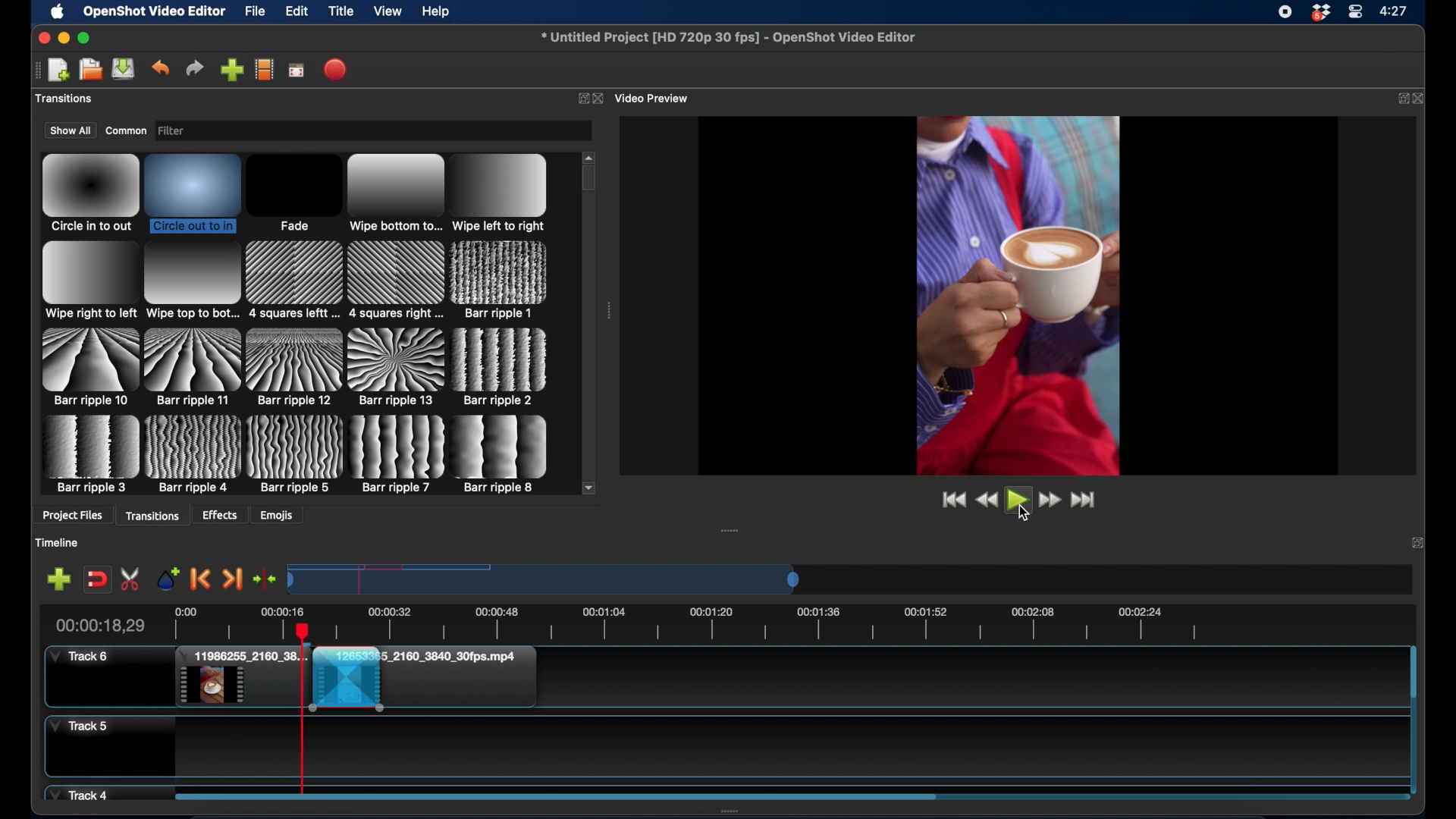 This screenshot has width=1456, height=819. Describe the element at coordinates (155, 12) in the screenshot. I see `openshot video editor` at that location.